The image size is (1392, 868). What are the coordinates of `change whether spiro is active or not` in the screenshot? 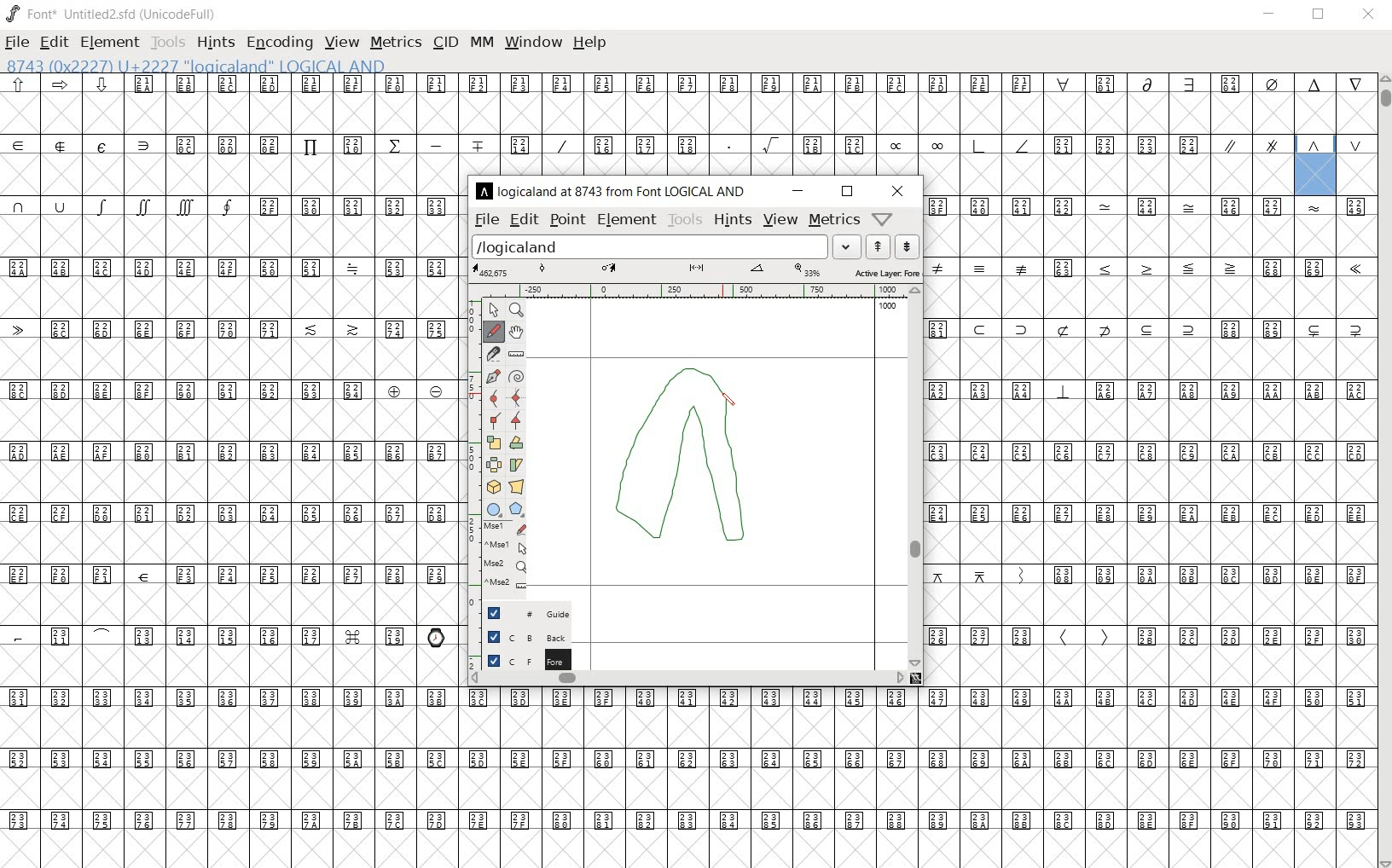 It's located at (518, 377).